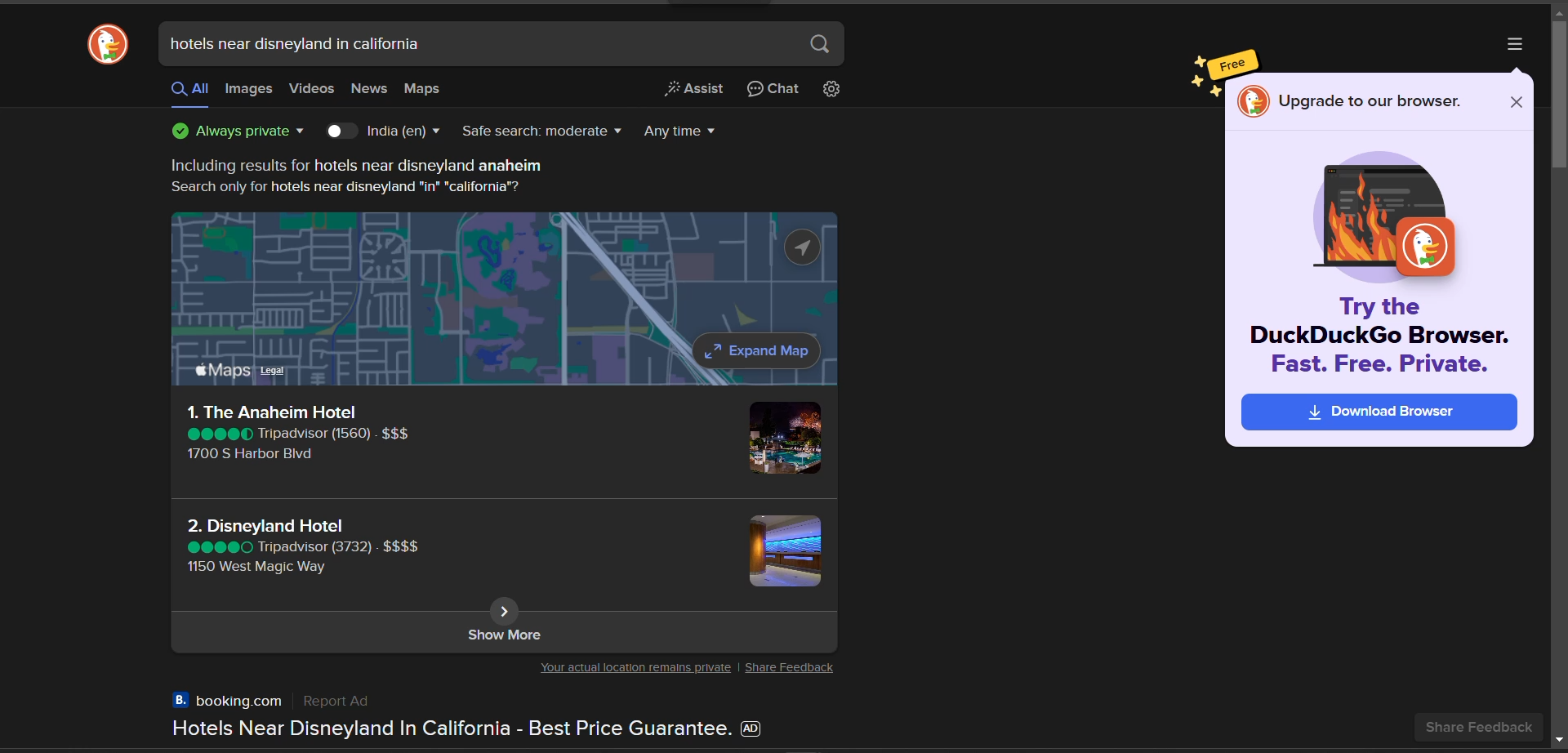  Describe the element at coordinates (352, 177) in the screenshot. I see `search inclusions and suggestions in the results` at that location.